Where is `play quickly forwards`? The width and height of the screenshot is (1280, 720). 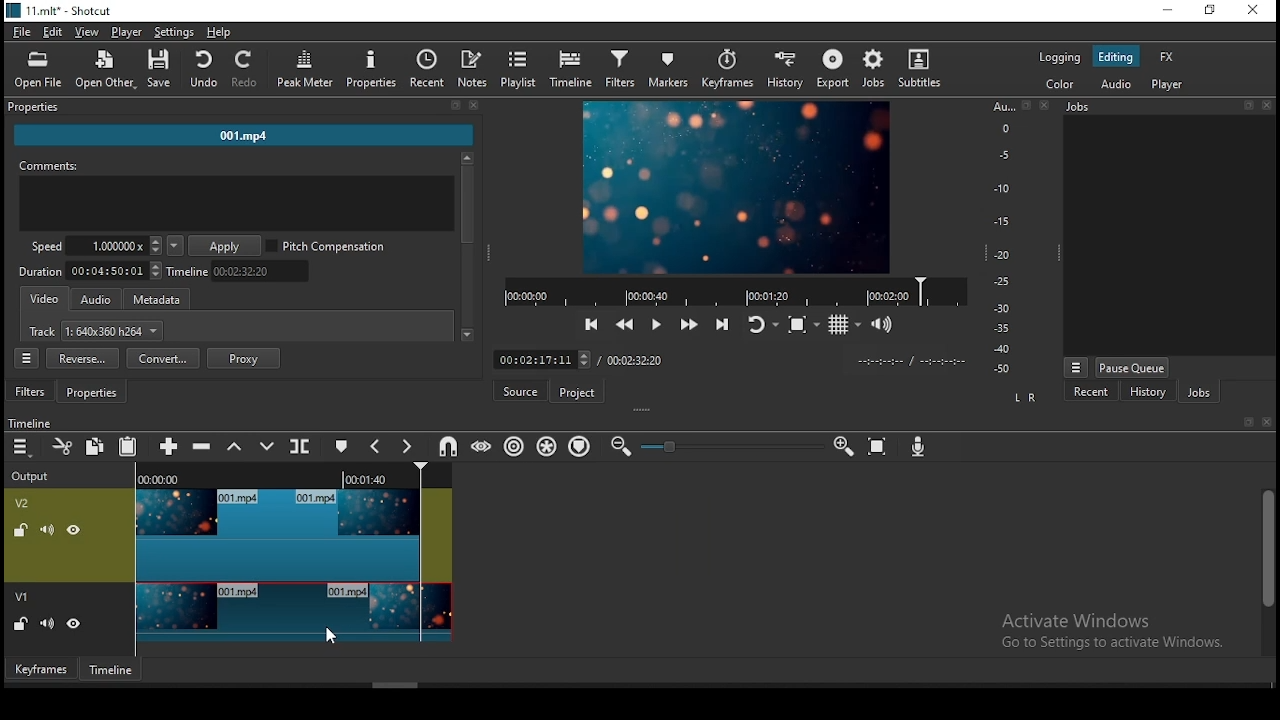
play quickly forwards is located at coordinates (691, 325).